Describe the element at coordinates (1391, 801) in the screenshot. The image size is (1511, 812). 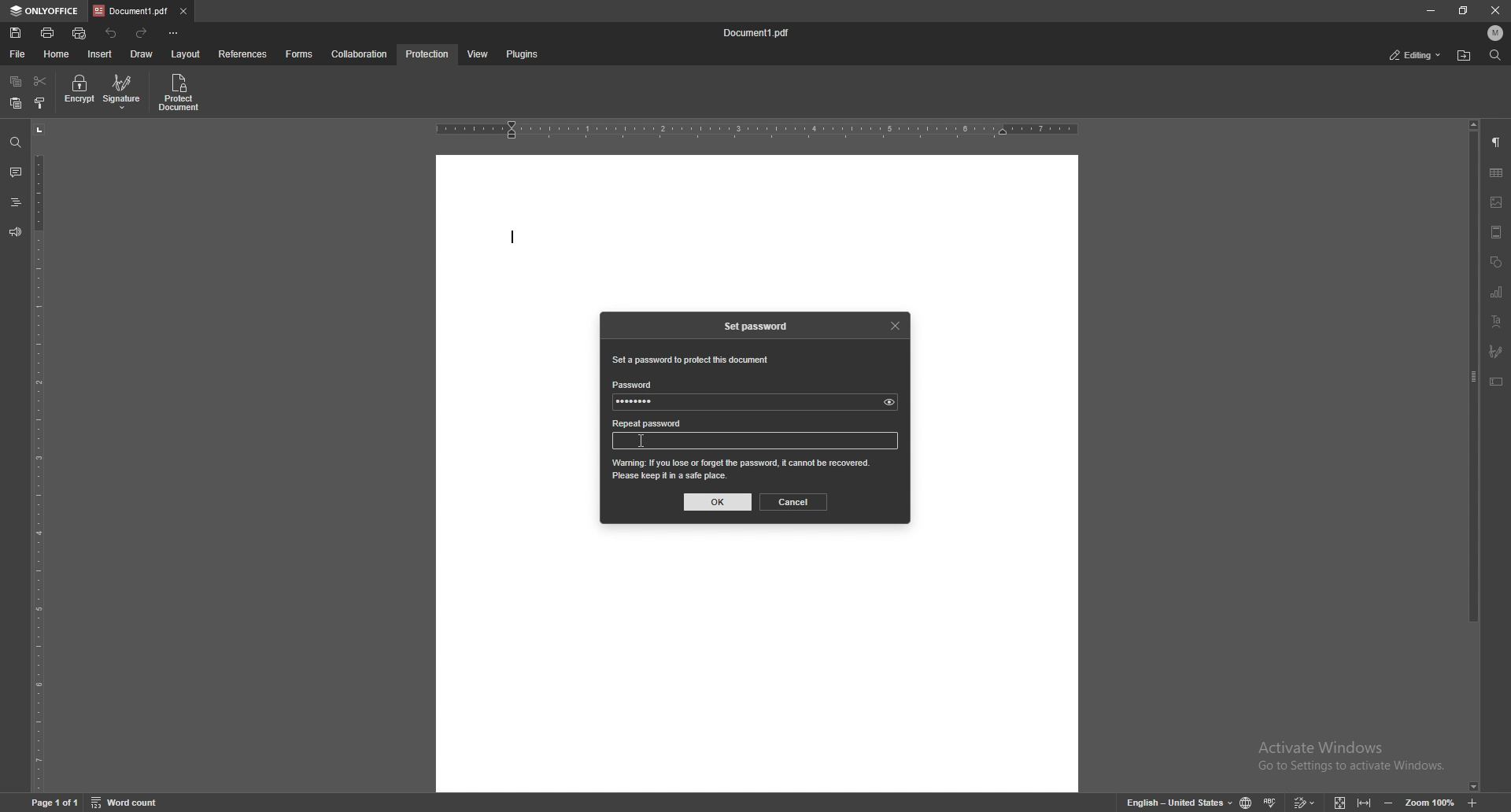
I see `zoom out` at that location.